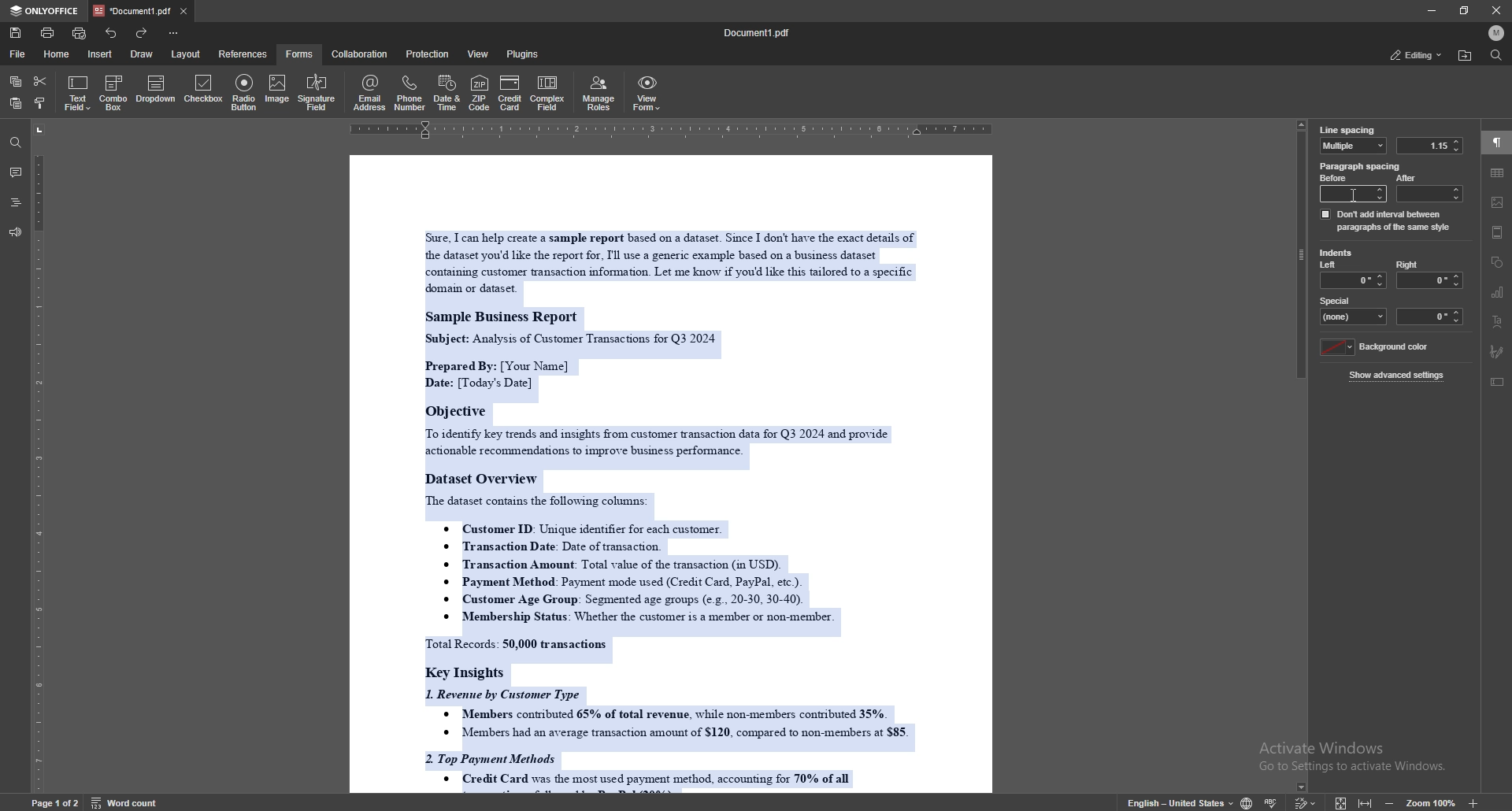 The image size is (1512, 811). What do you see at coordinates (1498, 293) in the screenshot?
I see `chart` at bounding box center [1498, 293].